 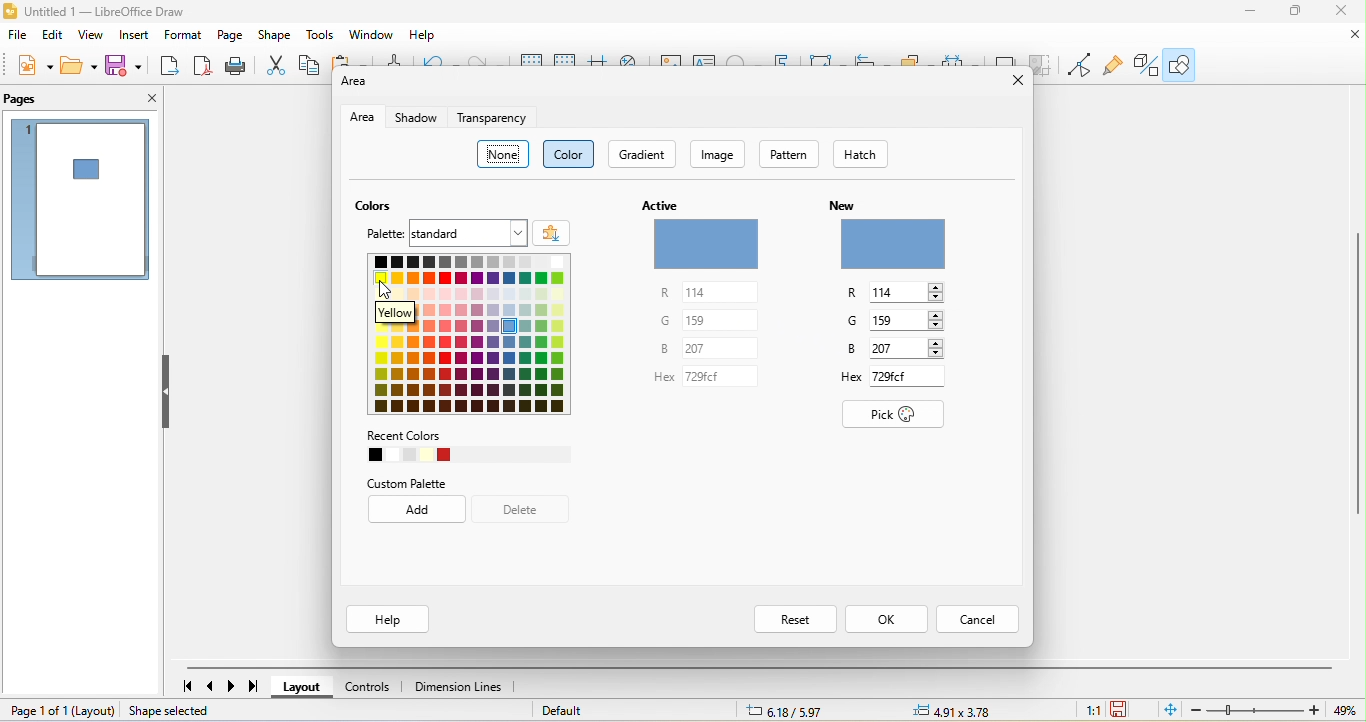 What do you see at coordinates (185, 36) in the screenshot?
I see `format` at bounding box center [185, 36].